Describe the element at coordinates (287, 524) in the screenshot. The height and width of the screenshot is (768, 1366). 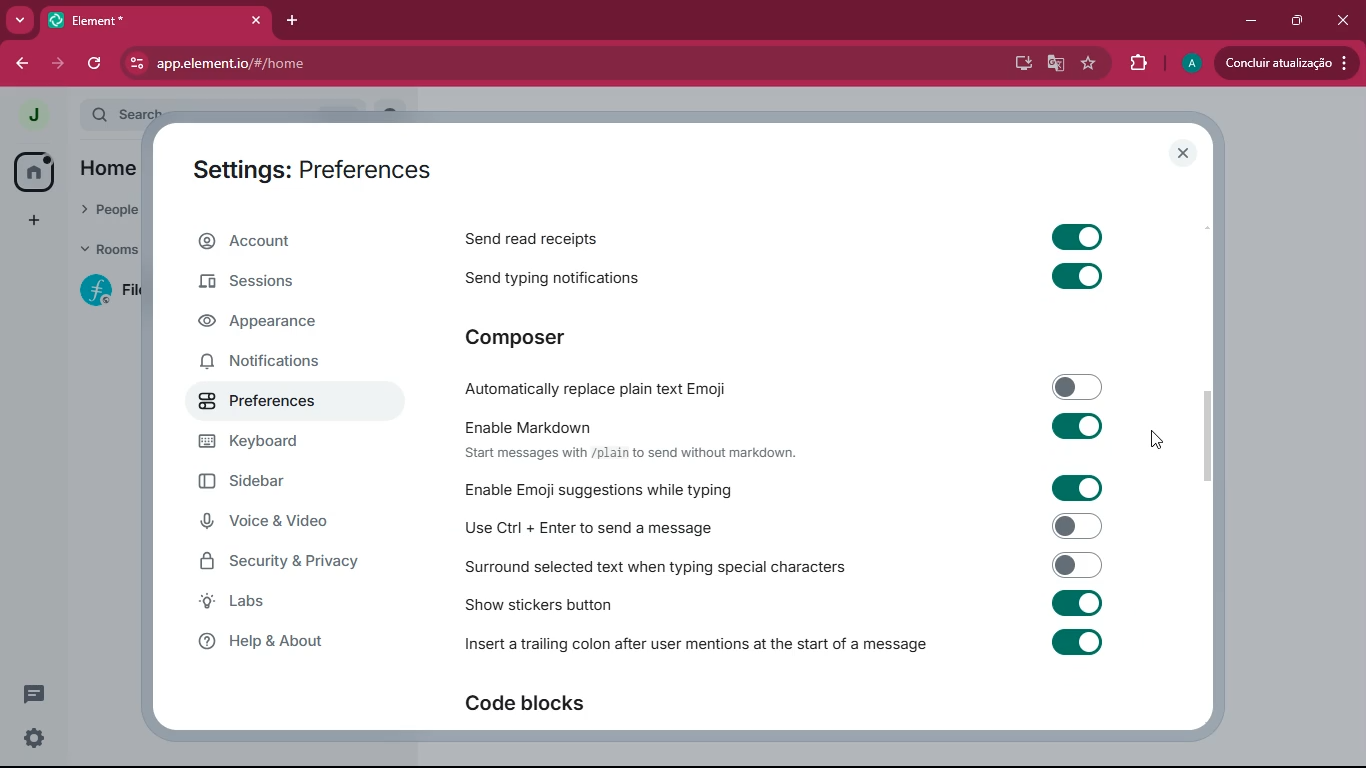
I see `voice` at that location.